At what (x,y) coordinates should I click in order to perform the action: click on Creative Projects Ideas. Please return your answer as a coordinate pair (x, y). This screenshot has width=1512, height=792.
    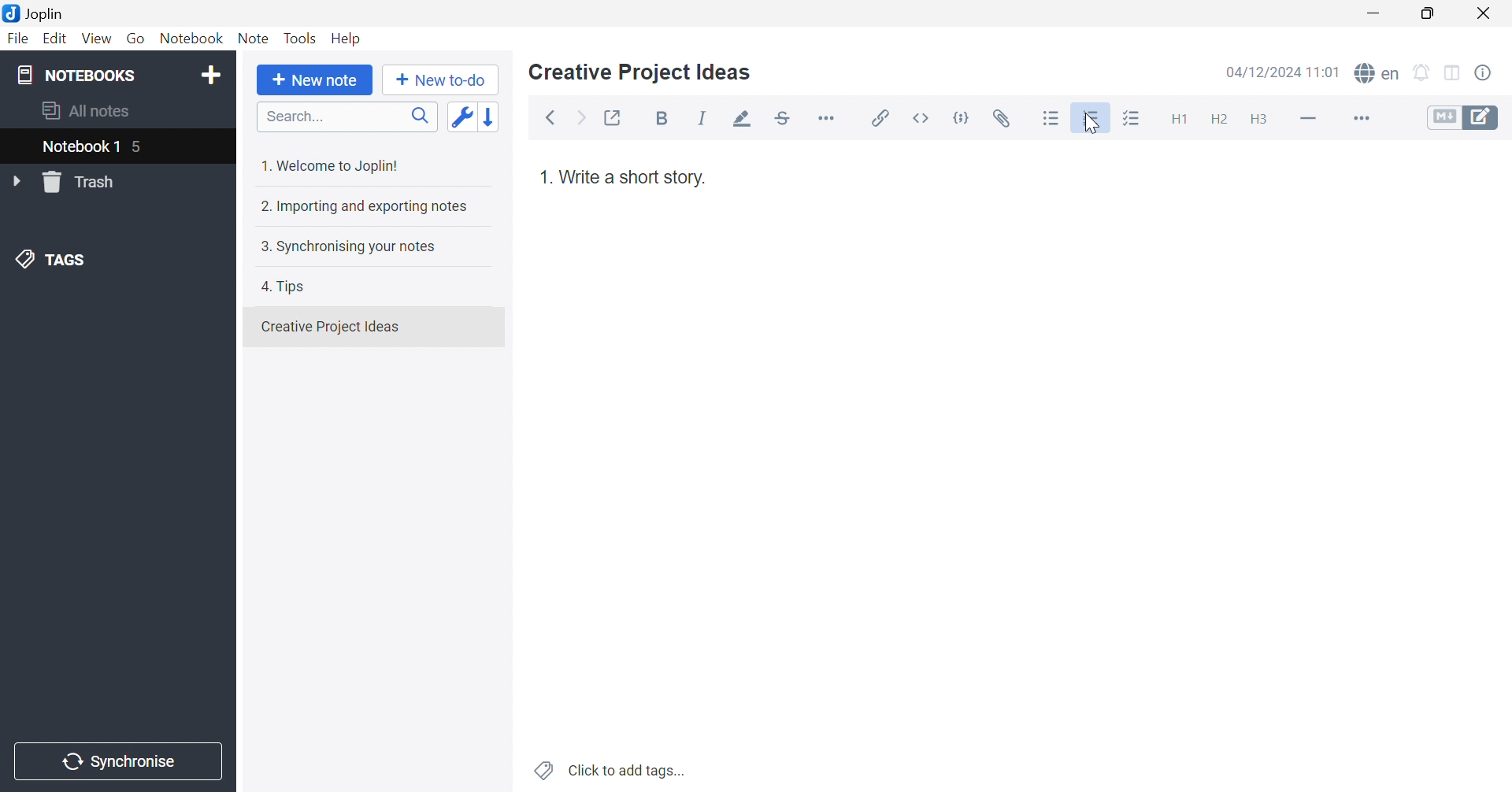
    Looking at the image, I should click on (330, 327).